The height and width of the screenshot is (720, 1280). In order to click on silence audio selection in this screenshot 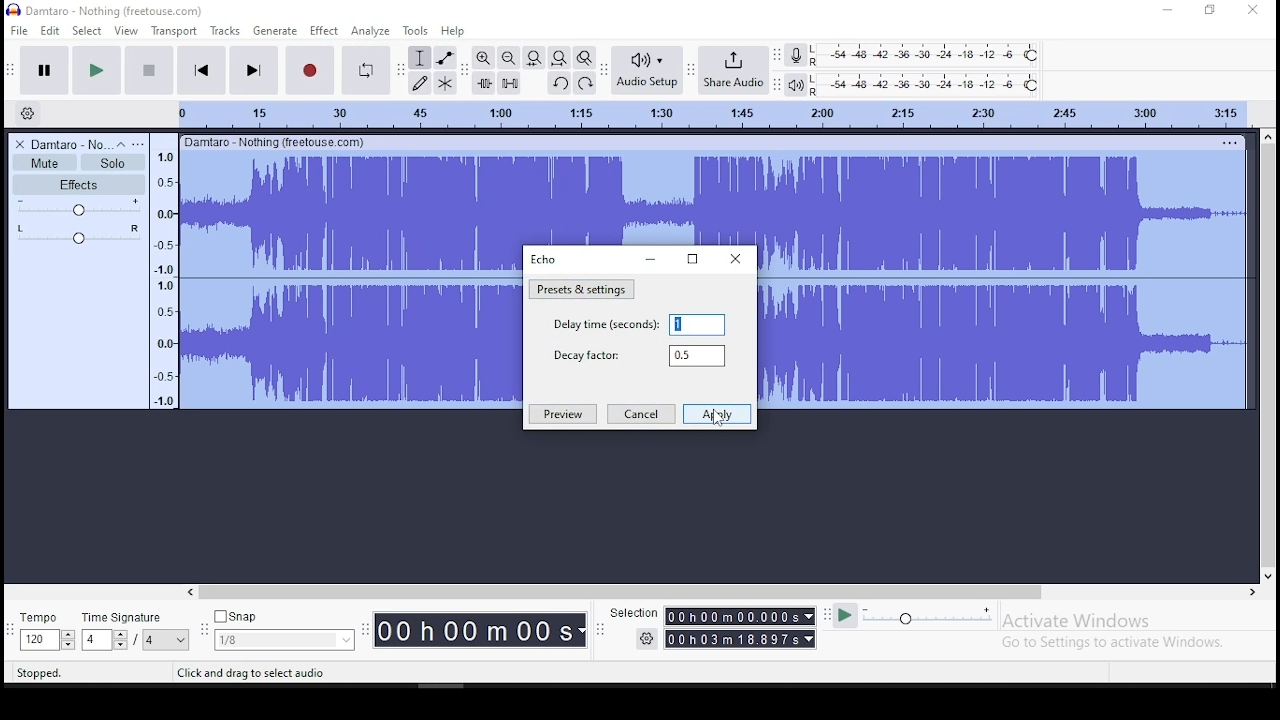, I will do `click(510, 82)`.